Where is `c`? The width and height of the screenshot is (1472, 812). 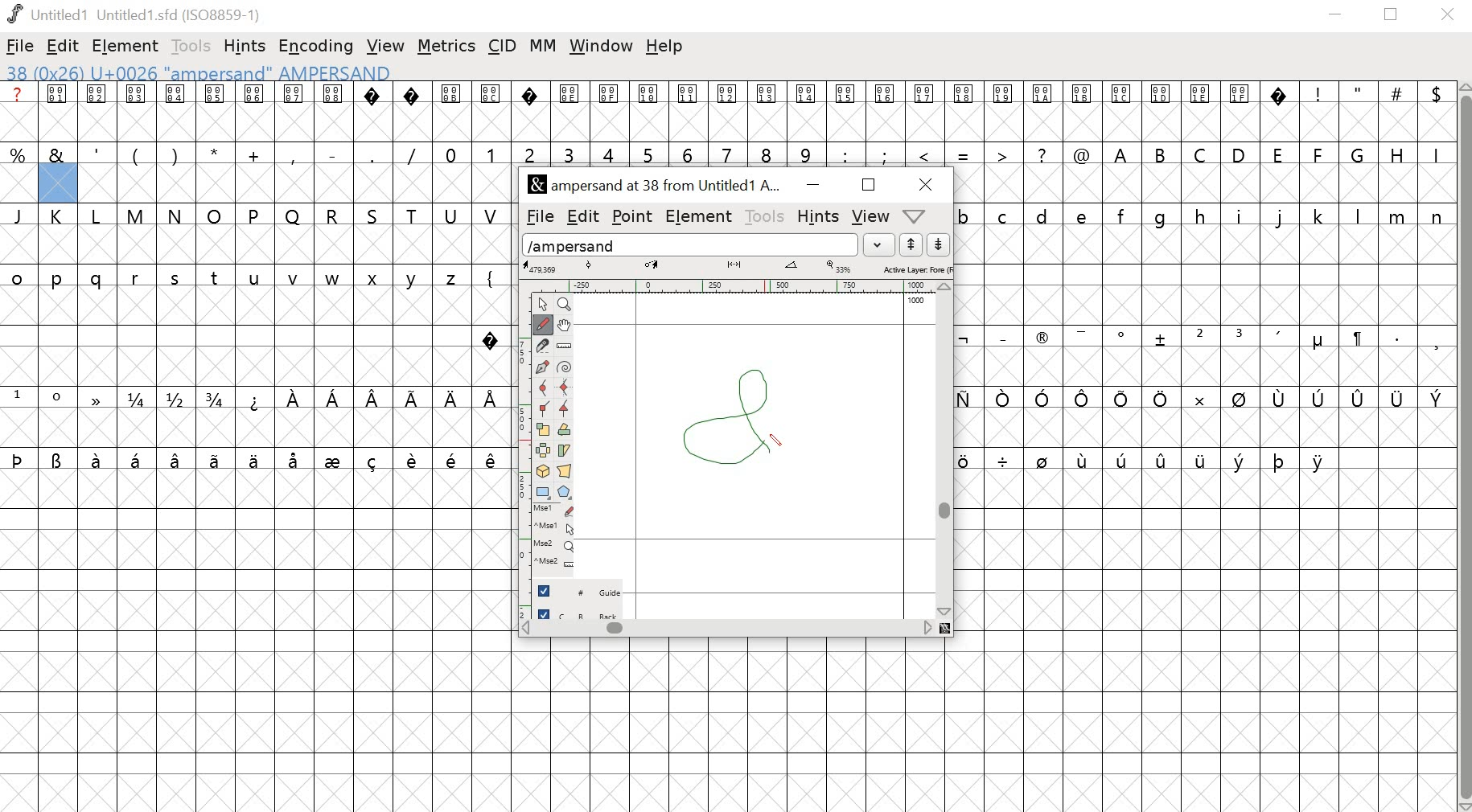
c is located at coordinates (1005, 215).